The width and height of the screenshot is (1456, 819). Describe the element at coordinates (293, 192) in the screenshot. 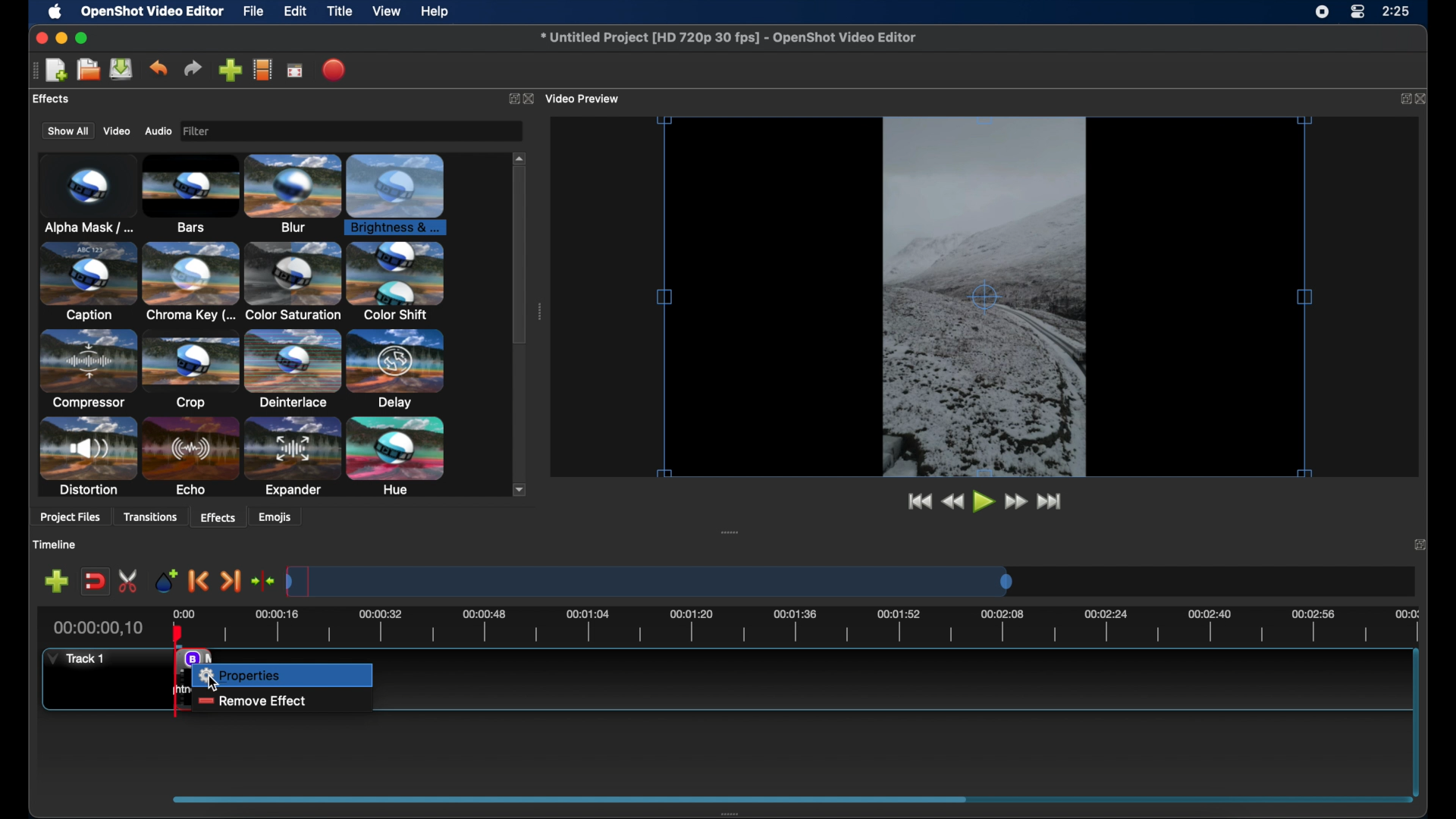

I see `blur` at that location.